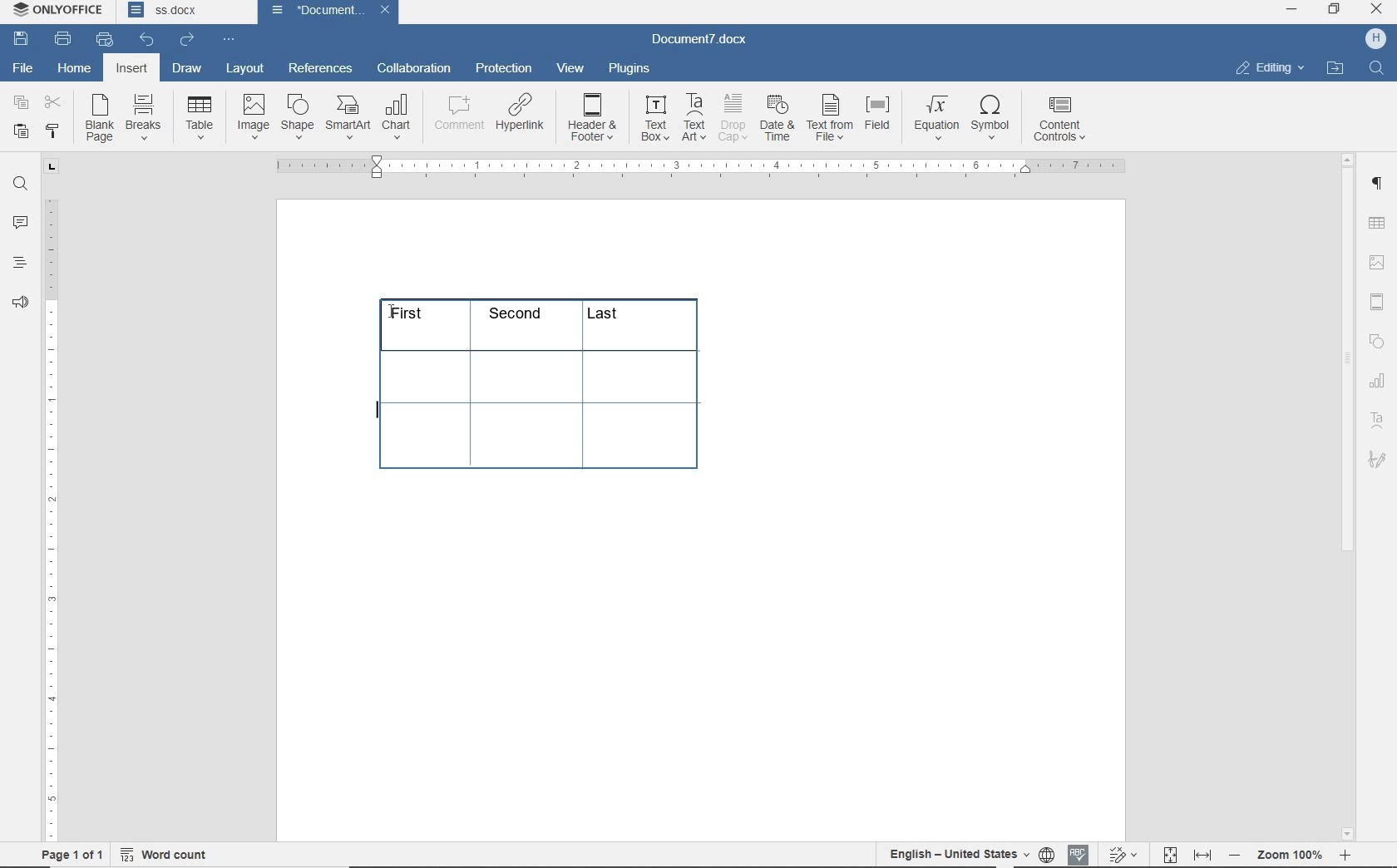 This screenshot has width=1397, height=868. I want to click on text art, so click(694, 117).